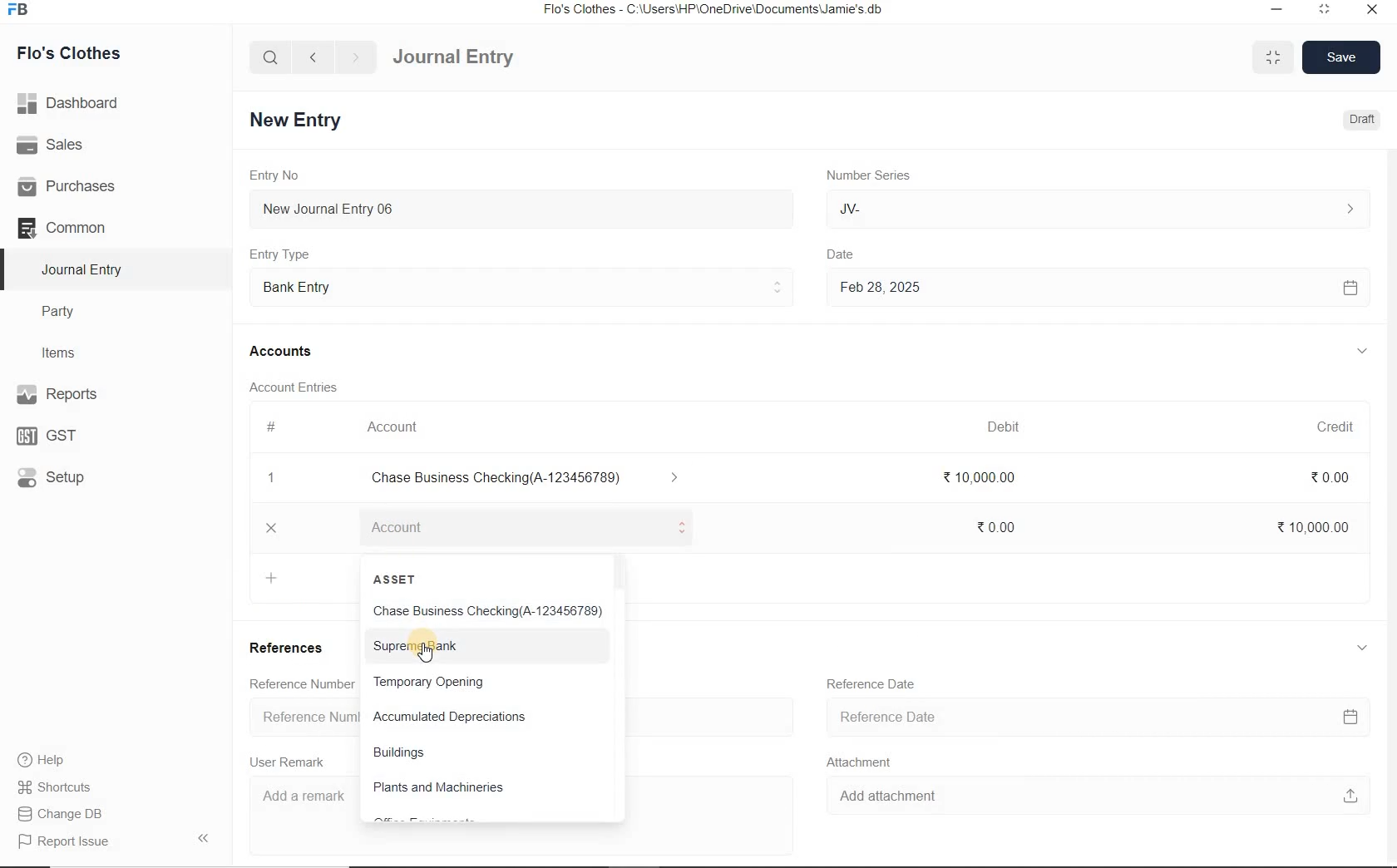 The height and width of the screenshot is (868, 1397). Describe the element at coordinates (429, 682) in the screenshot. I see `Temporary Opening` at that location.